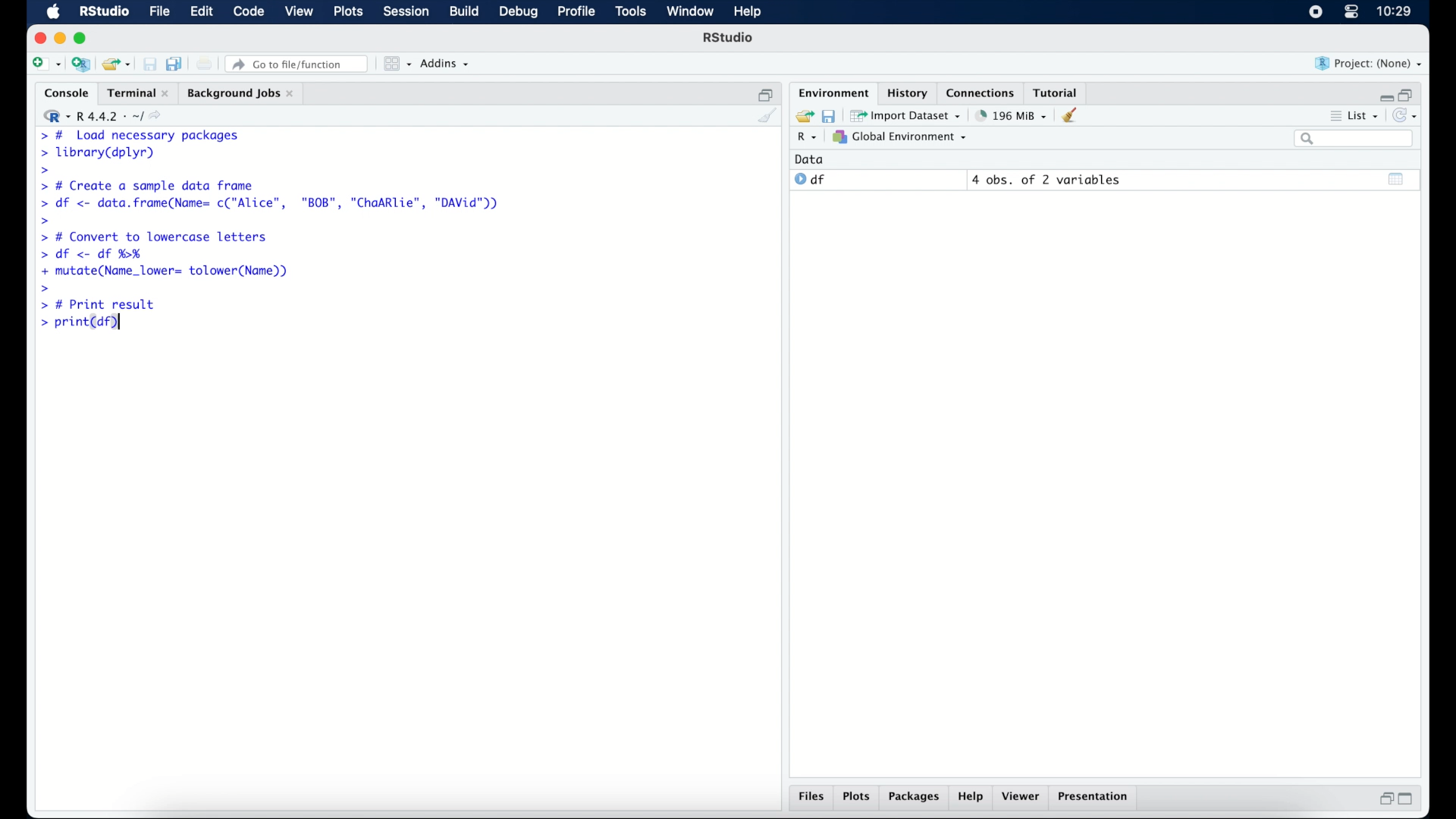  What do you see at coordinates (106, 117) in the screenshot?
I see `R 4.4.2` at bounding box center [106, 117].